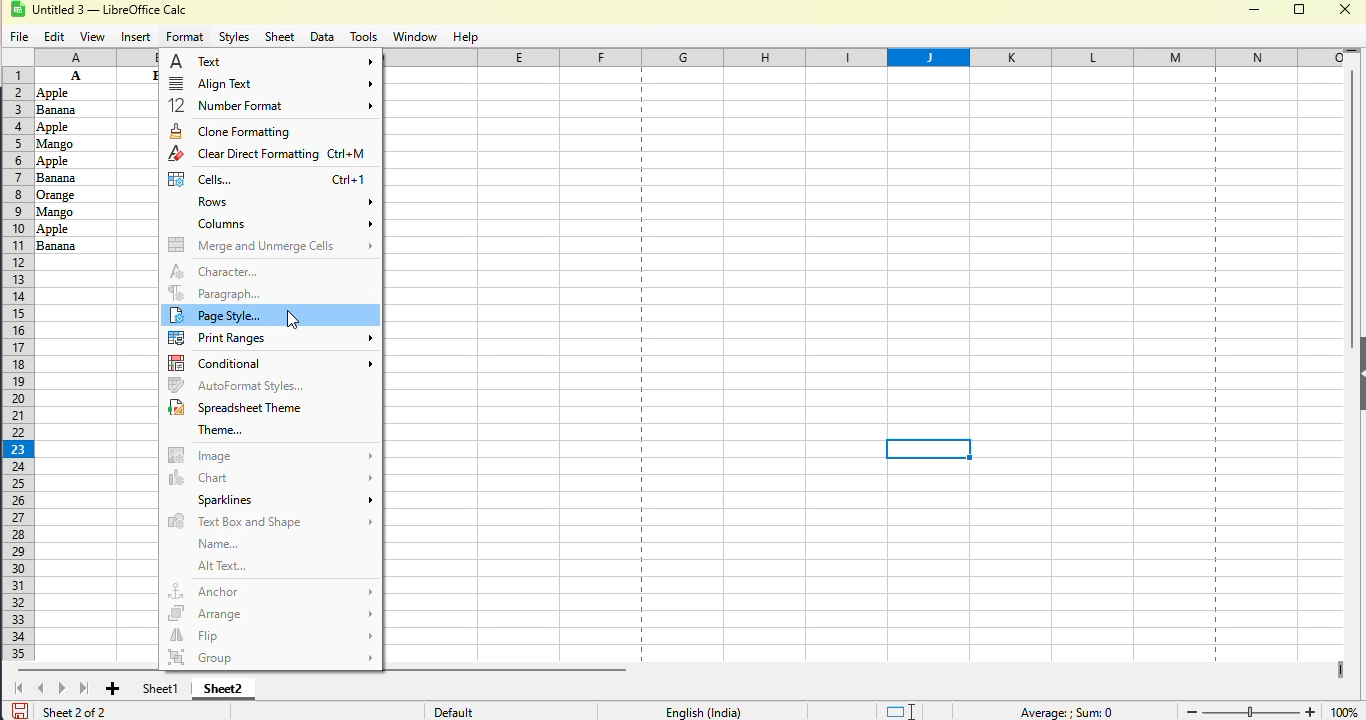 Image resolution: width=1366 pixels, height=720 pixels. What do you see at coordinates (69, 92) in the screenshot?
I see `` at bounding box center [69, 92].